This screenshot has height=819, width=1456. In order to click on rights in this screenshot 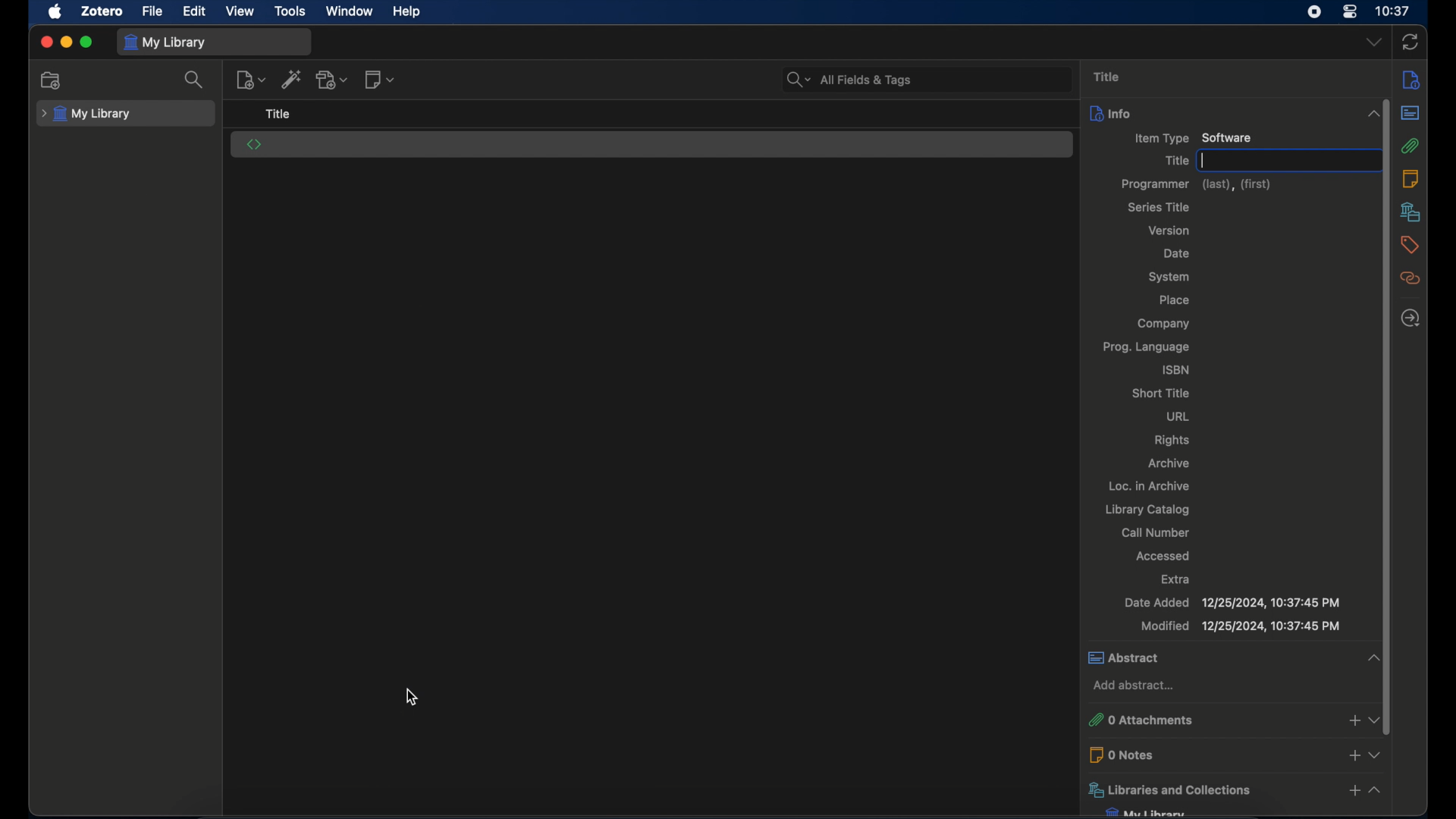, I will do `click(1173, 441)`.